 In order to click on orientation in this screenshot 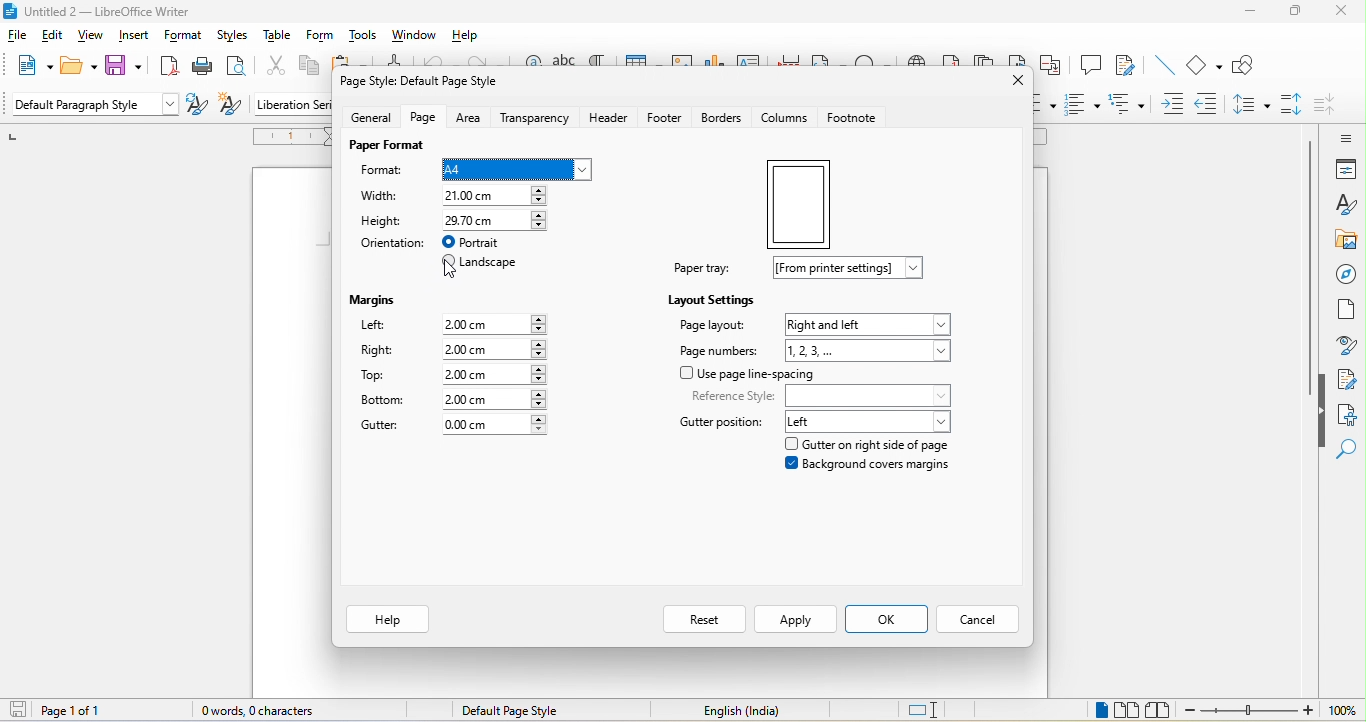, I will do `click(389, 247)`.